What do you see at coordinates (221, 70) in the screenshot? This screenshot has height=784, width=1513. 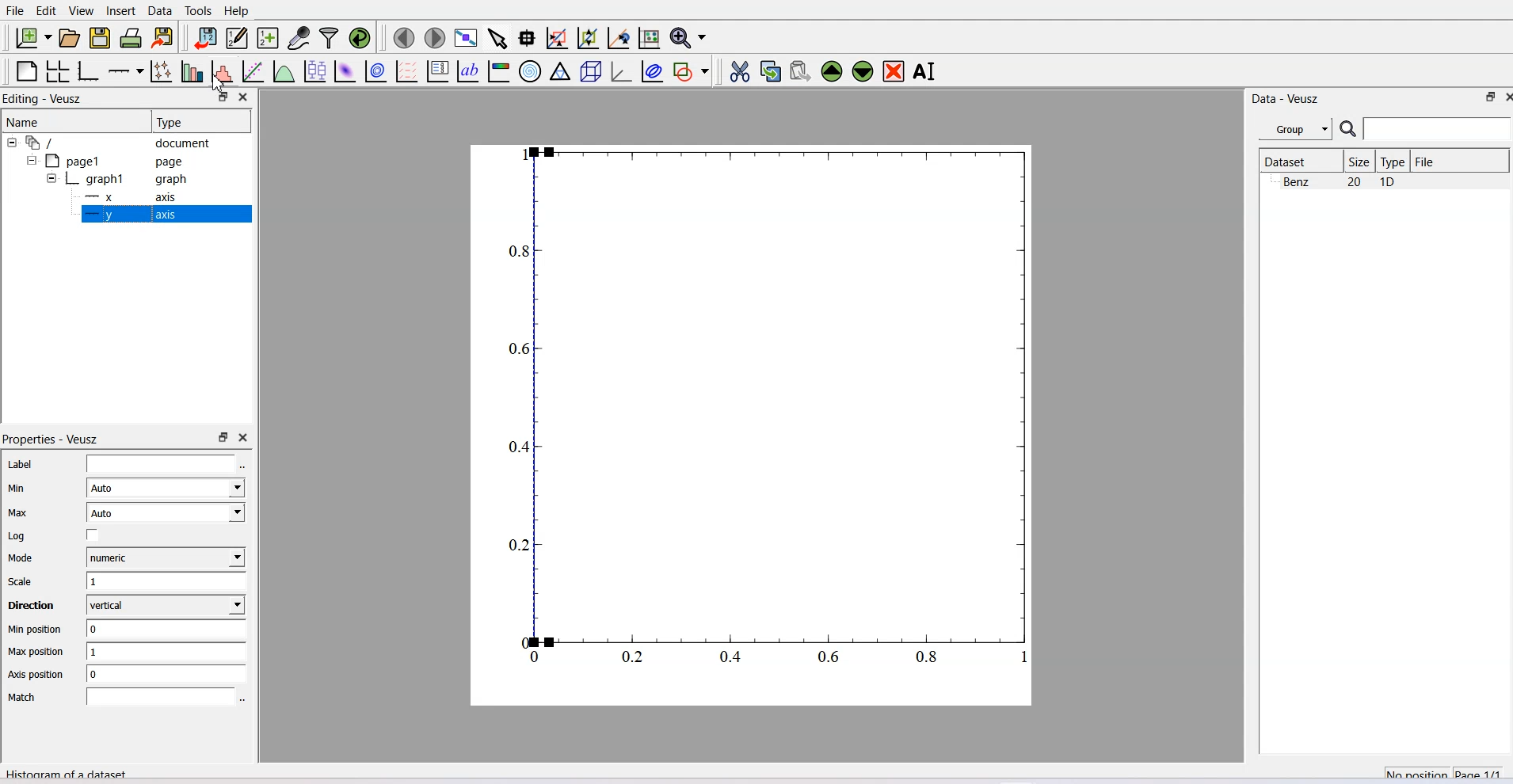 I see `Histogram of dataset` at bounding box center [221, 70].